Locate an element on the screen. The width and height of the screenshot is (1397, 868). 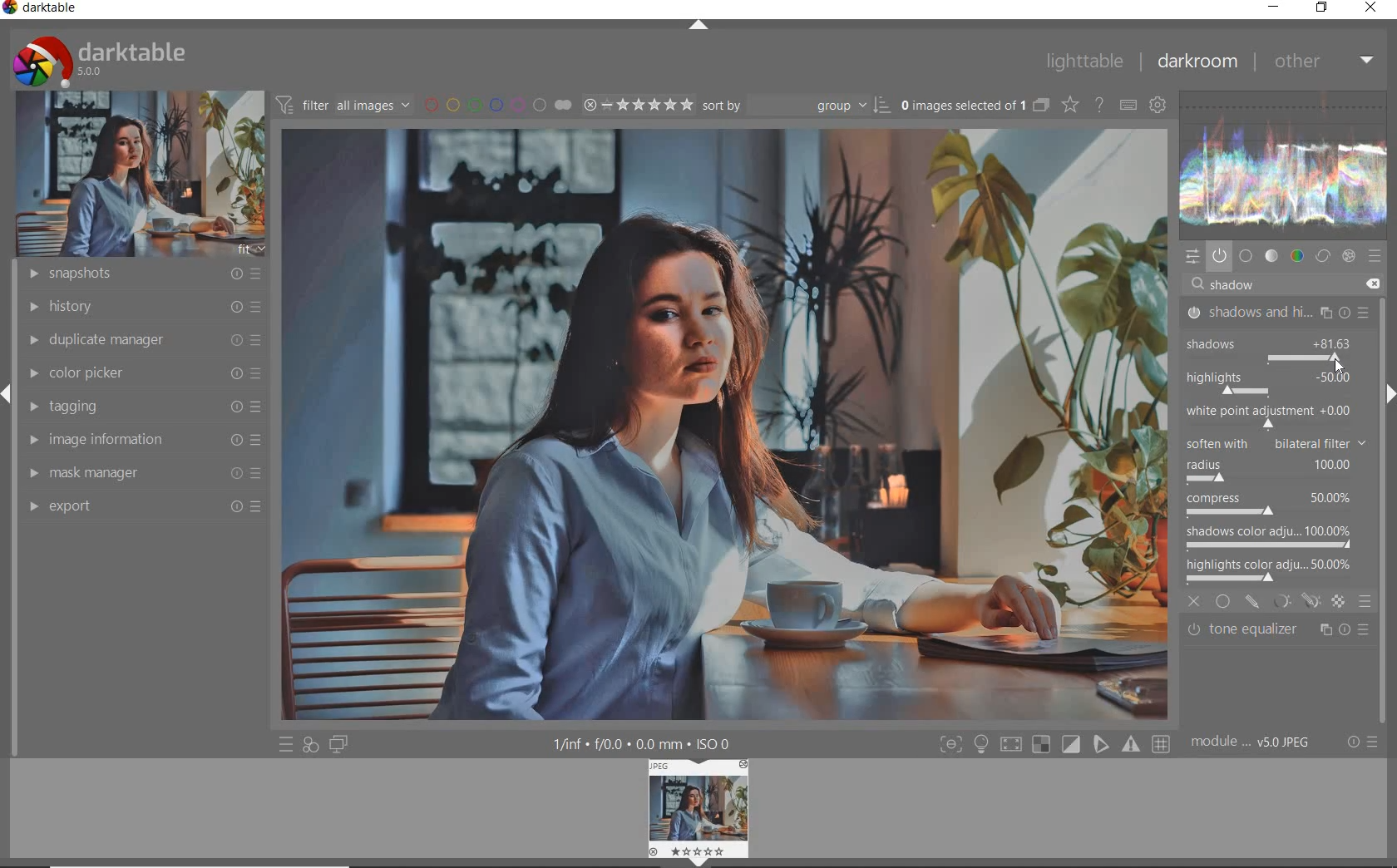
scrollbar is located at coordinates (1387, 332).